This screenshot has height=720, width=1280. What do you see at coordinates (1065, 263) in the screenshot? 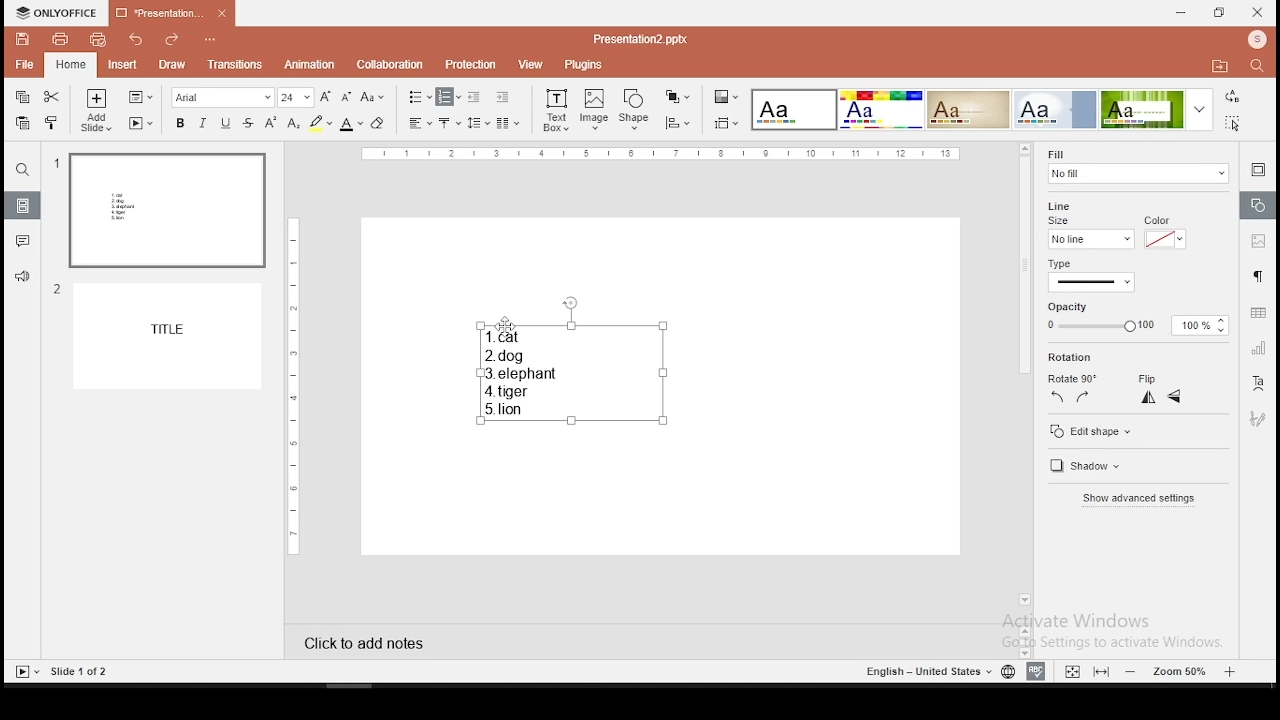
I see `type` at bounding box center [1065, 263].